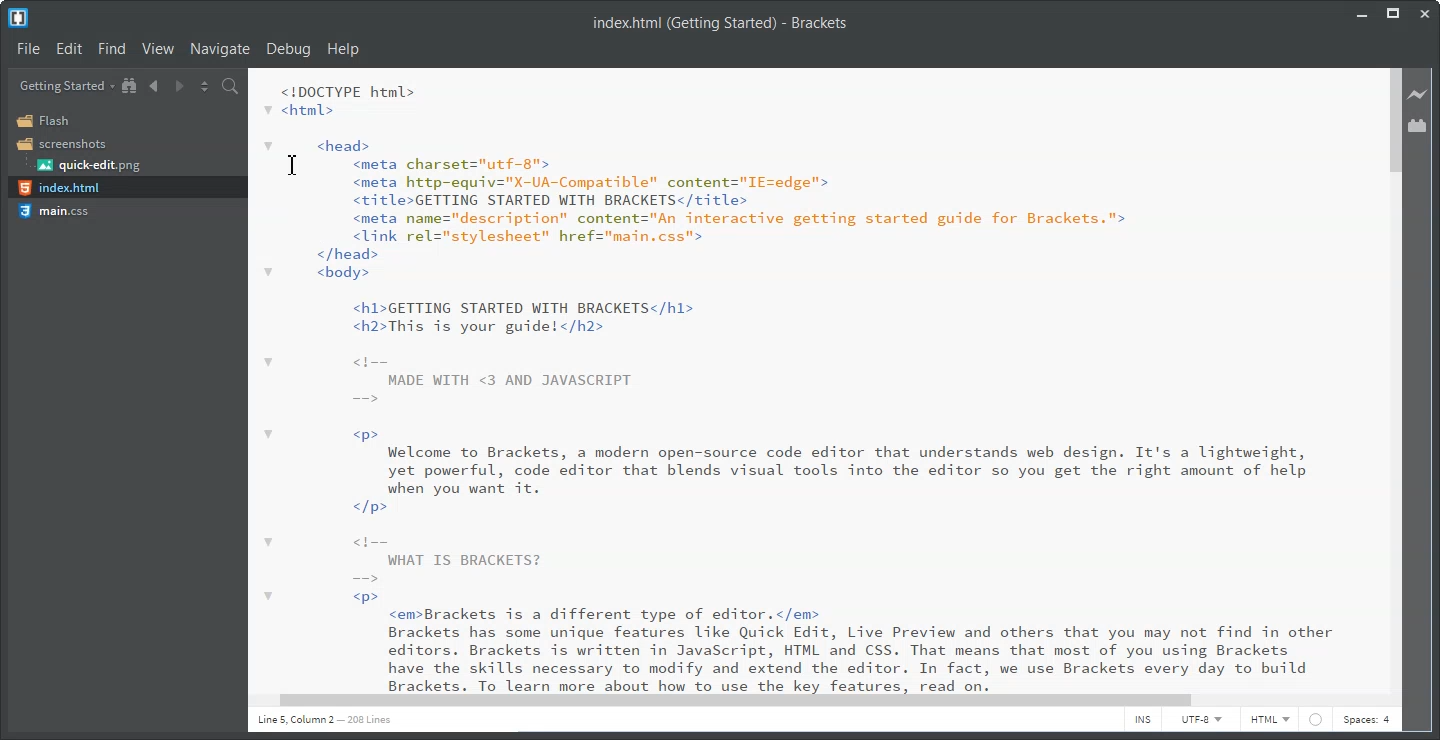  I want to click on Find in files, so click(230, 86).